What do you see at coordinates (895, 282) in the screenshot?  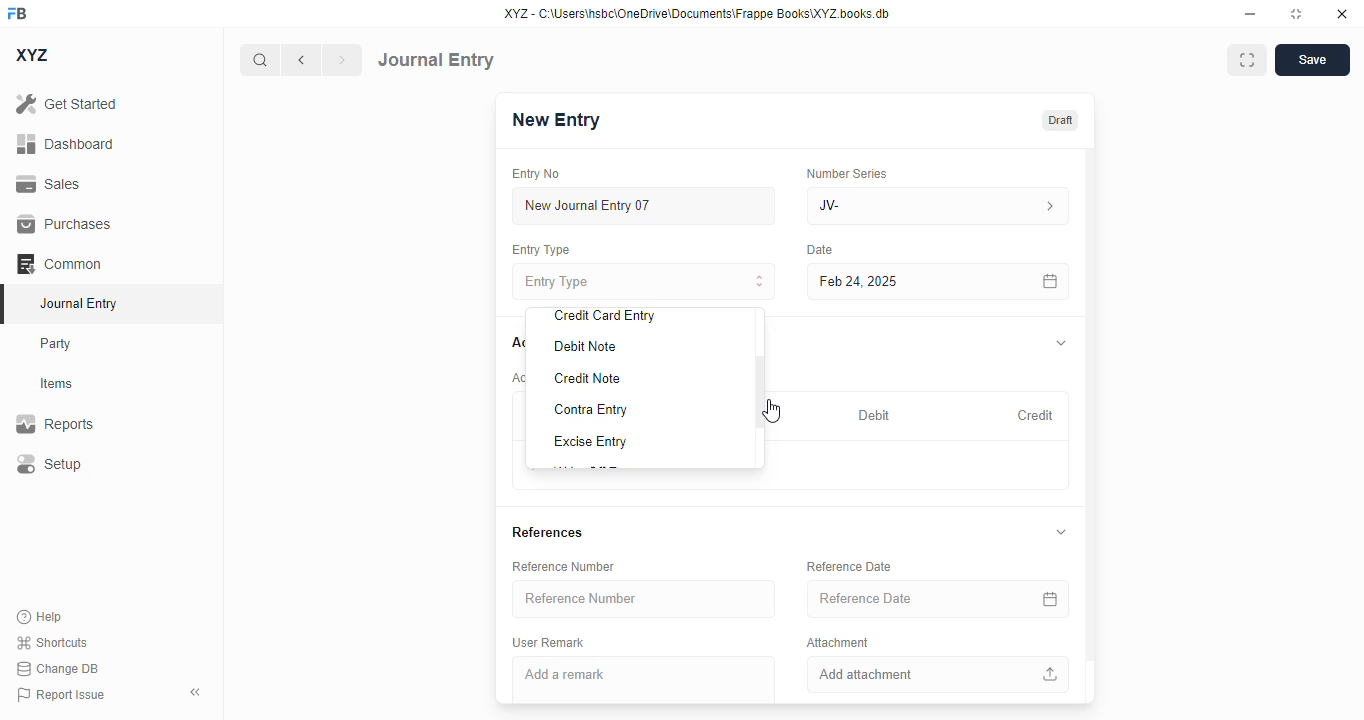 I see `feb 24, 2025` at bounding box center [895, 282].